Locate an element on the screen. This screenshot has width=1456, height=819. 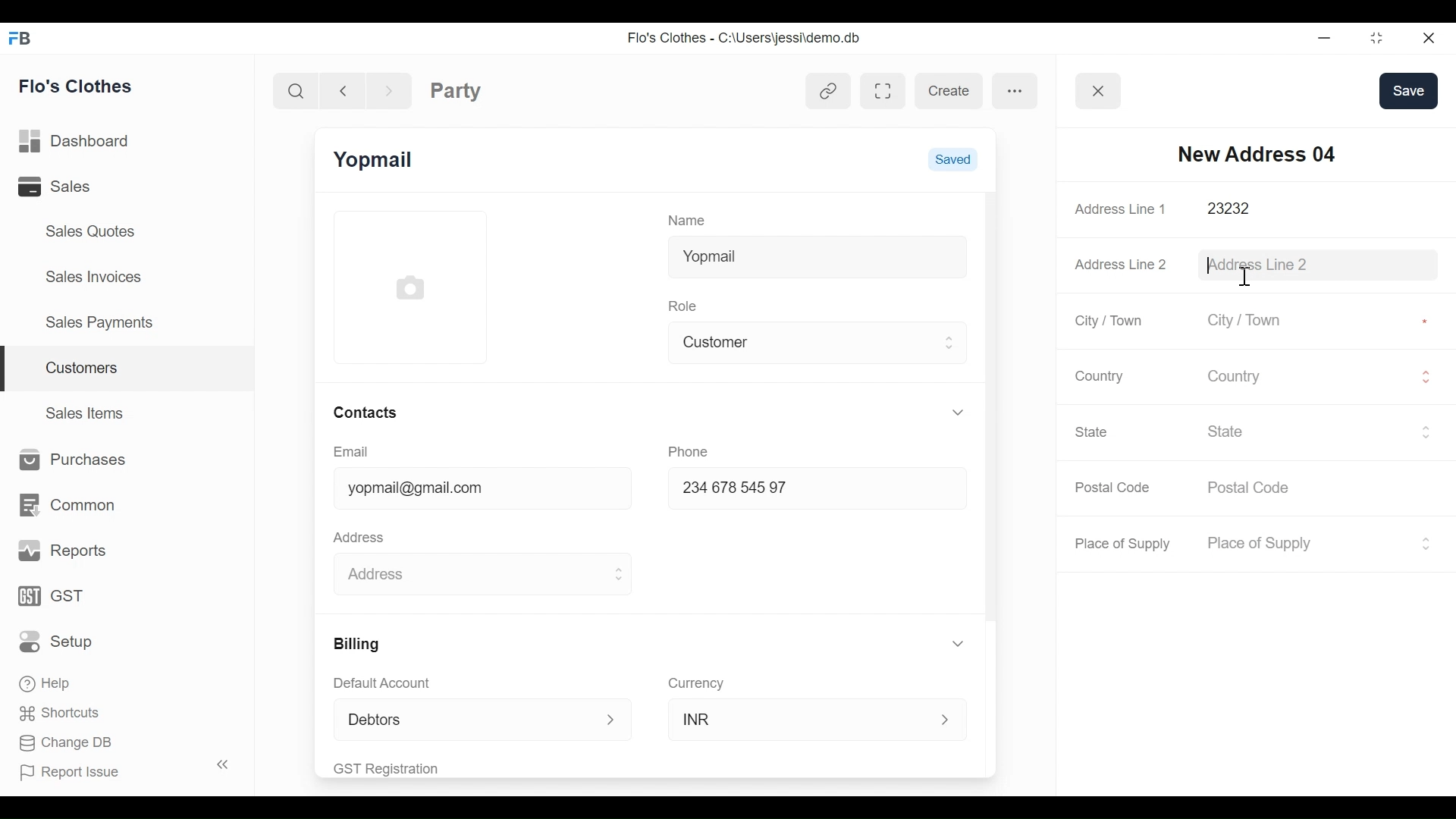
Country is located at coordinates (1307, 375).